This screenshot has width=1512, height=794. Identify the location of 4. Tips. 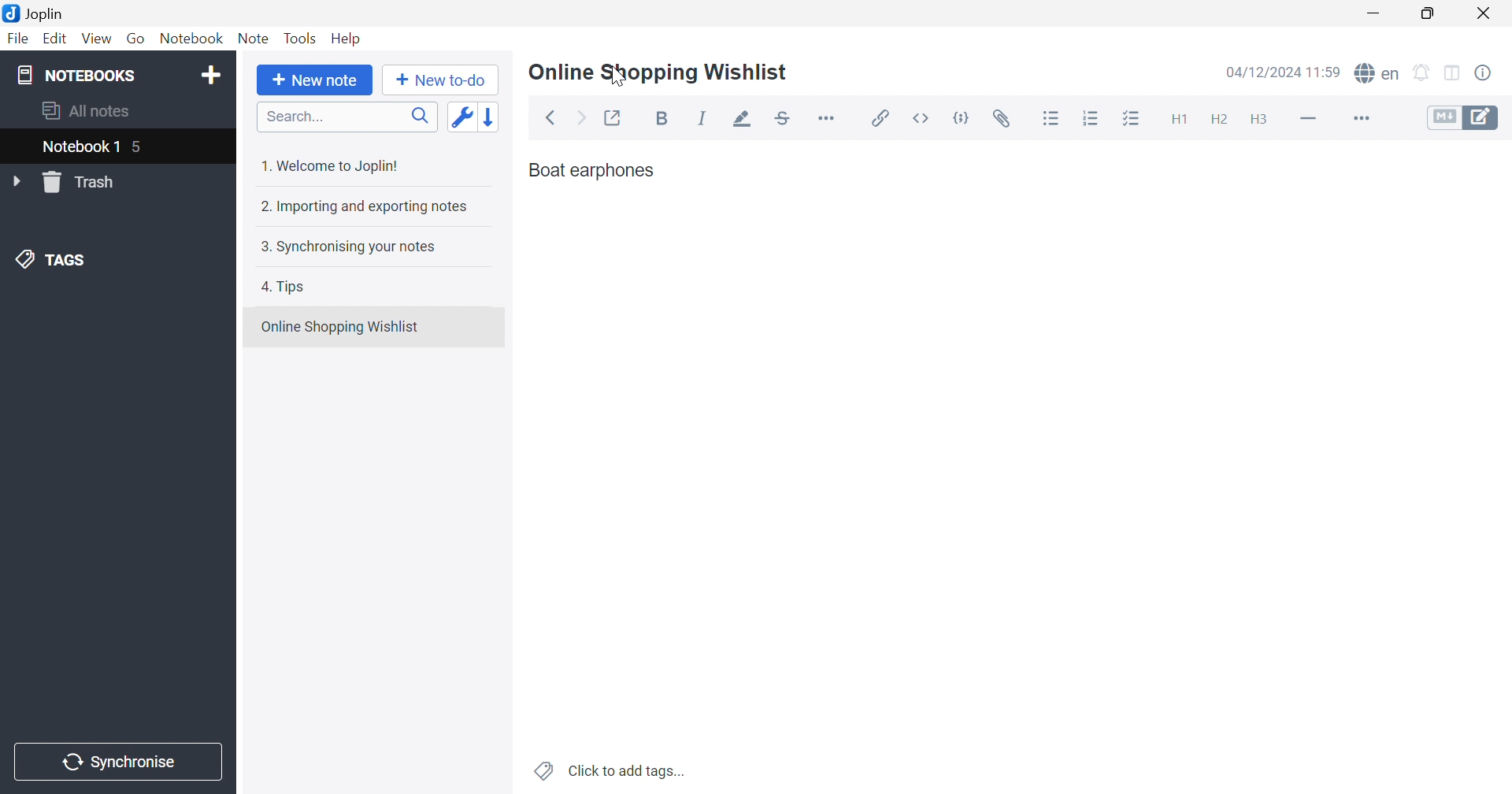
(287, 287).